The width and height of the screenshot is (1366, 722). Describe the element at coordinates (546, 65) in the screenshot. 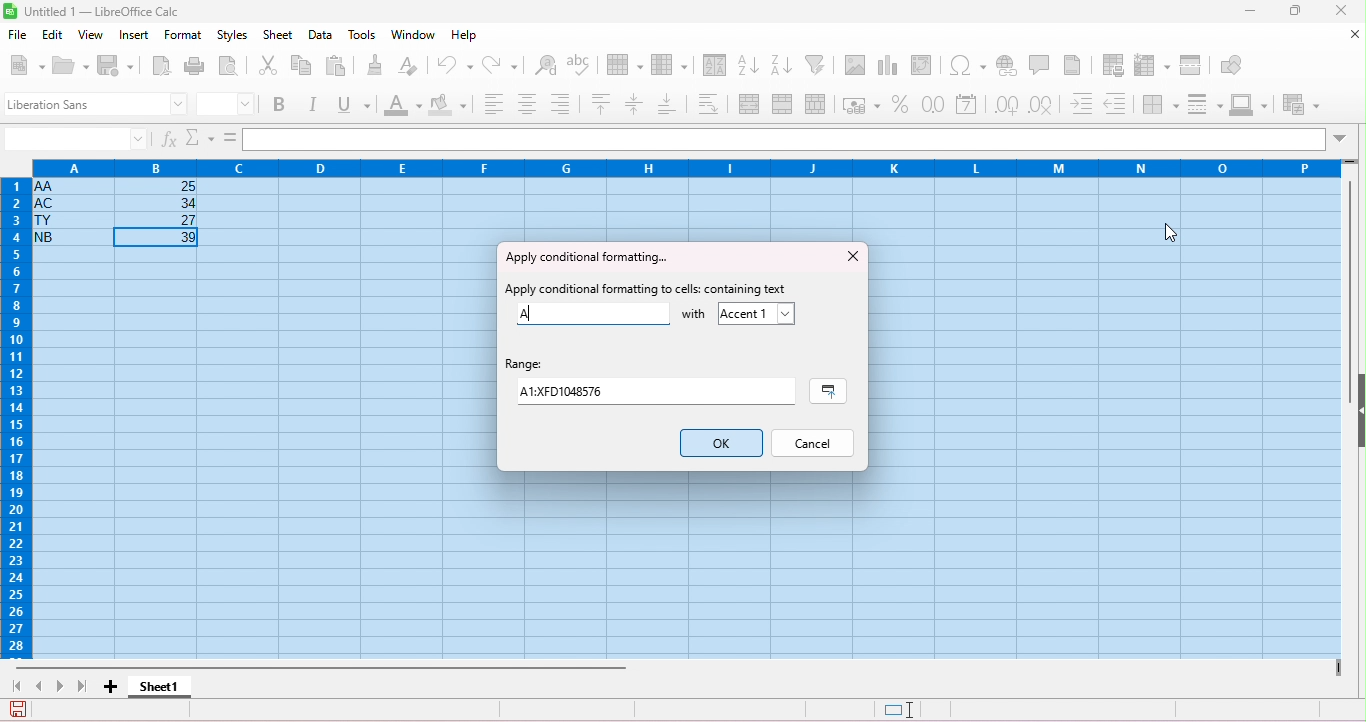

I see `find and replace` at that location.